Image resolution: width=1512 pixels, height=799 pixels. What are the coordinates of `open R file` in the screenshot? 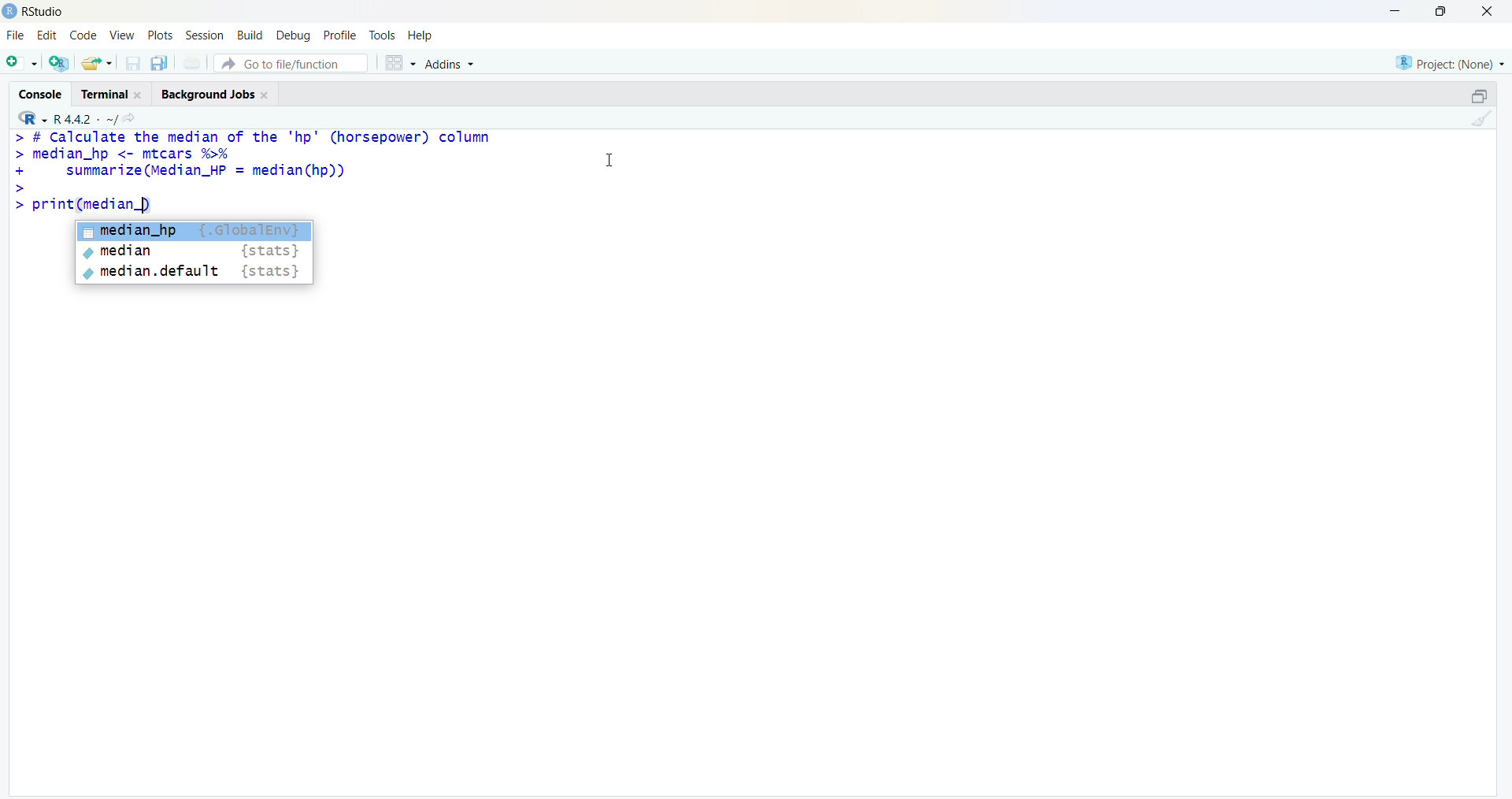 It's located at (58, 64).